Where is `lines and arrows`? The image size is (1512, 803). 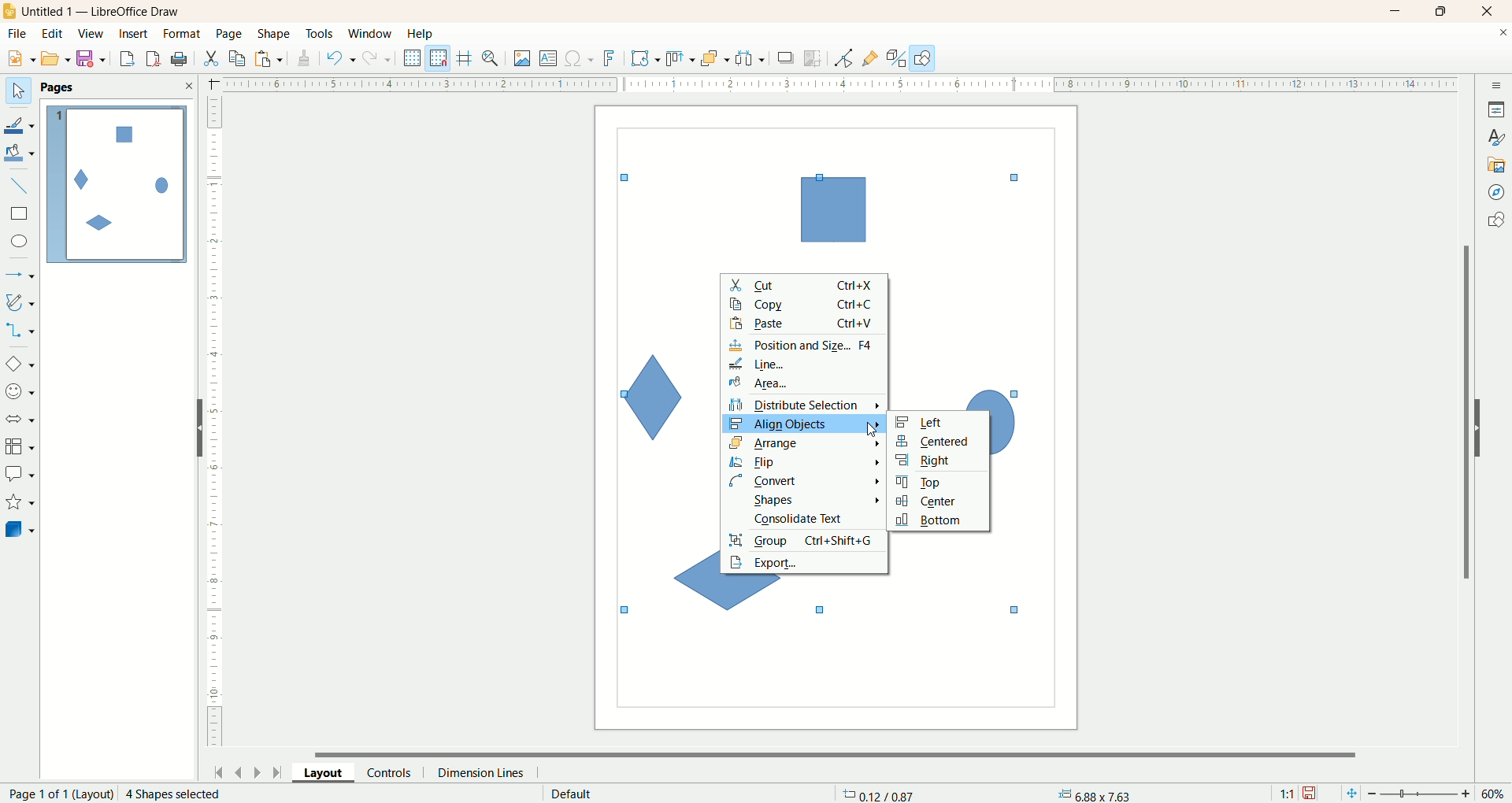 lines and arrows is located at coordinates (21, 276).